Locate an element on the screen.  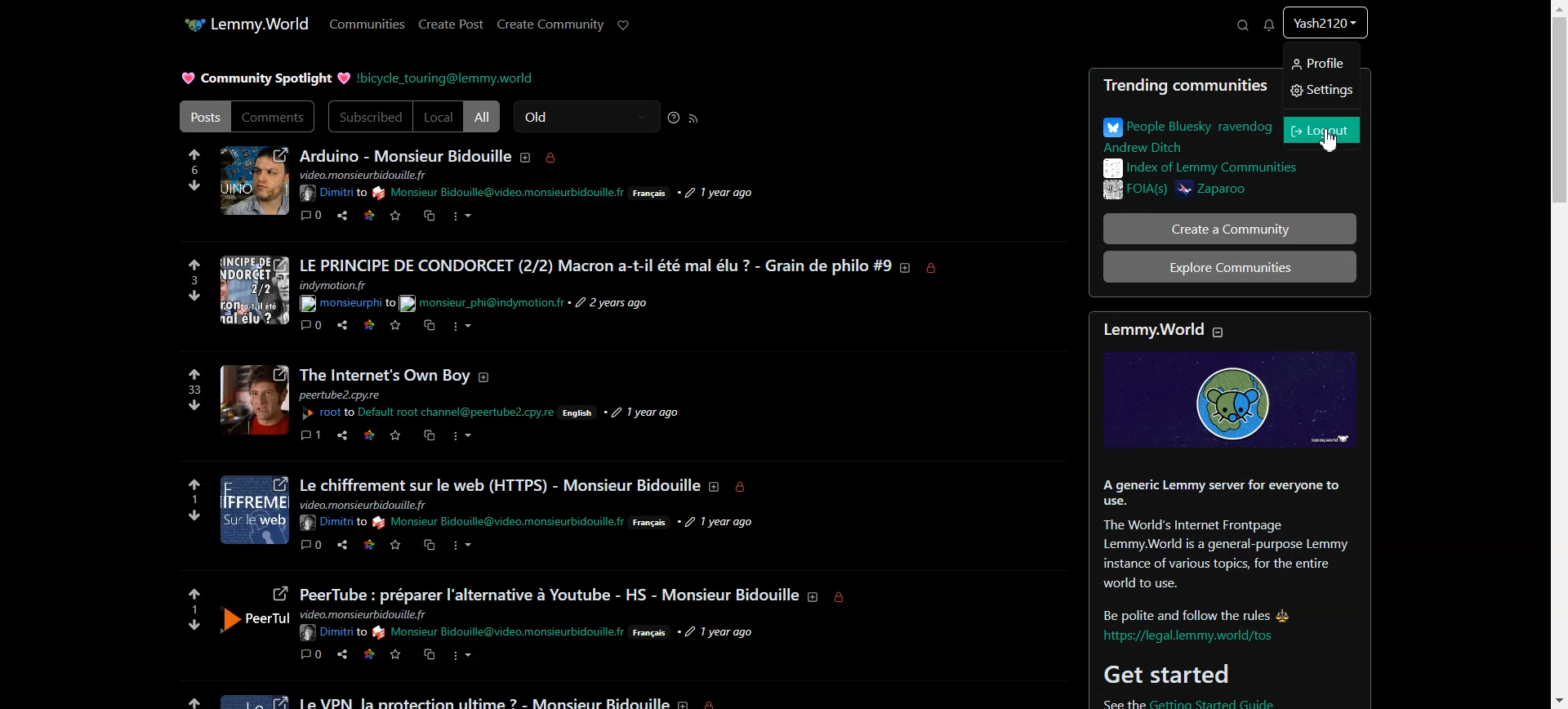
copy is located at coordinates (430, 548).